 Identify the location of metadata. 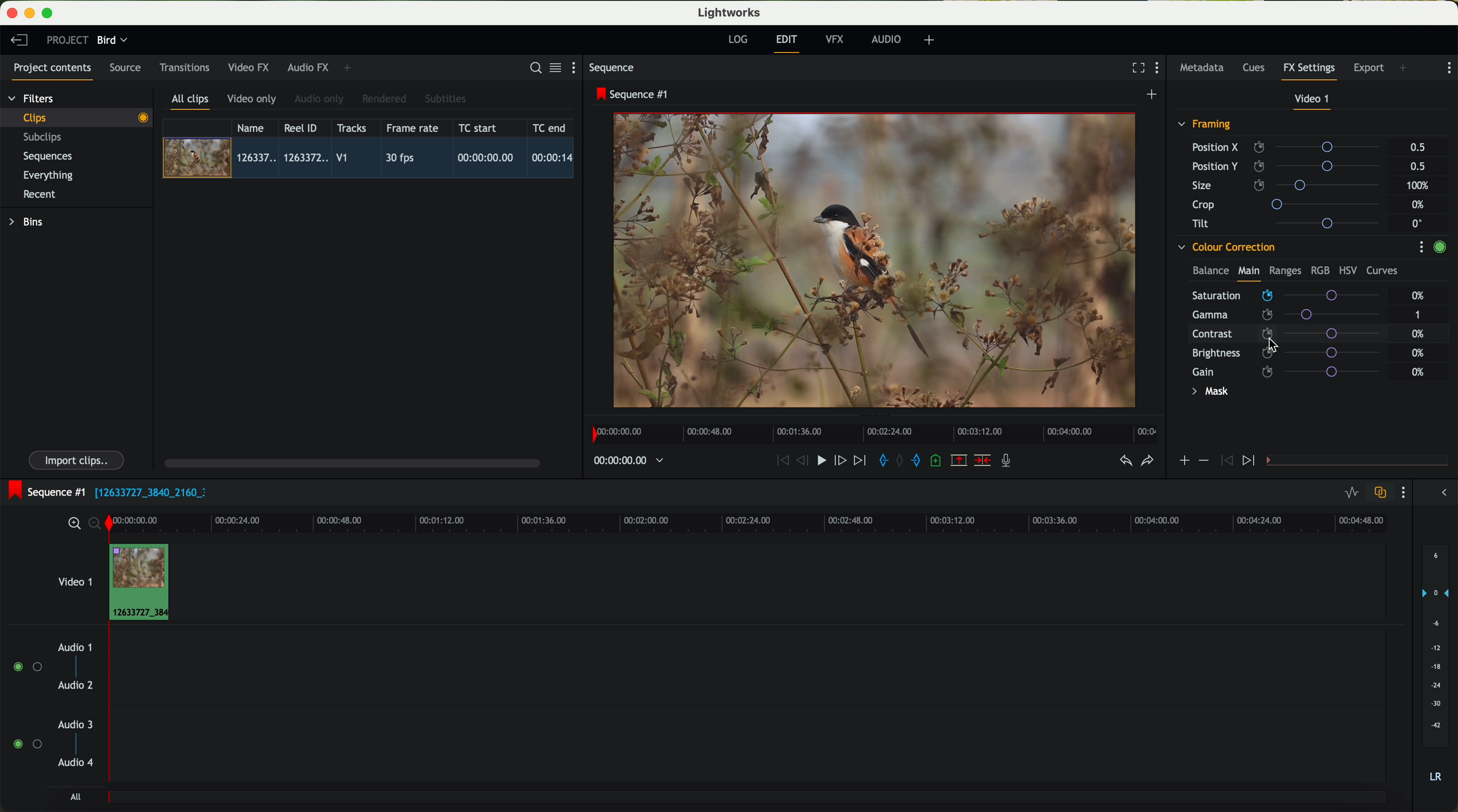
(1204, 68).